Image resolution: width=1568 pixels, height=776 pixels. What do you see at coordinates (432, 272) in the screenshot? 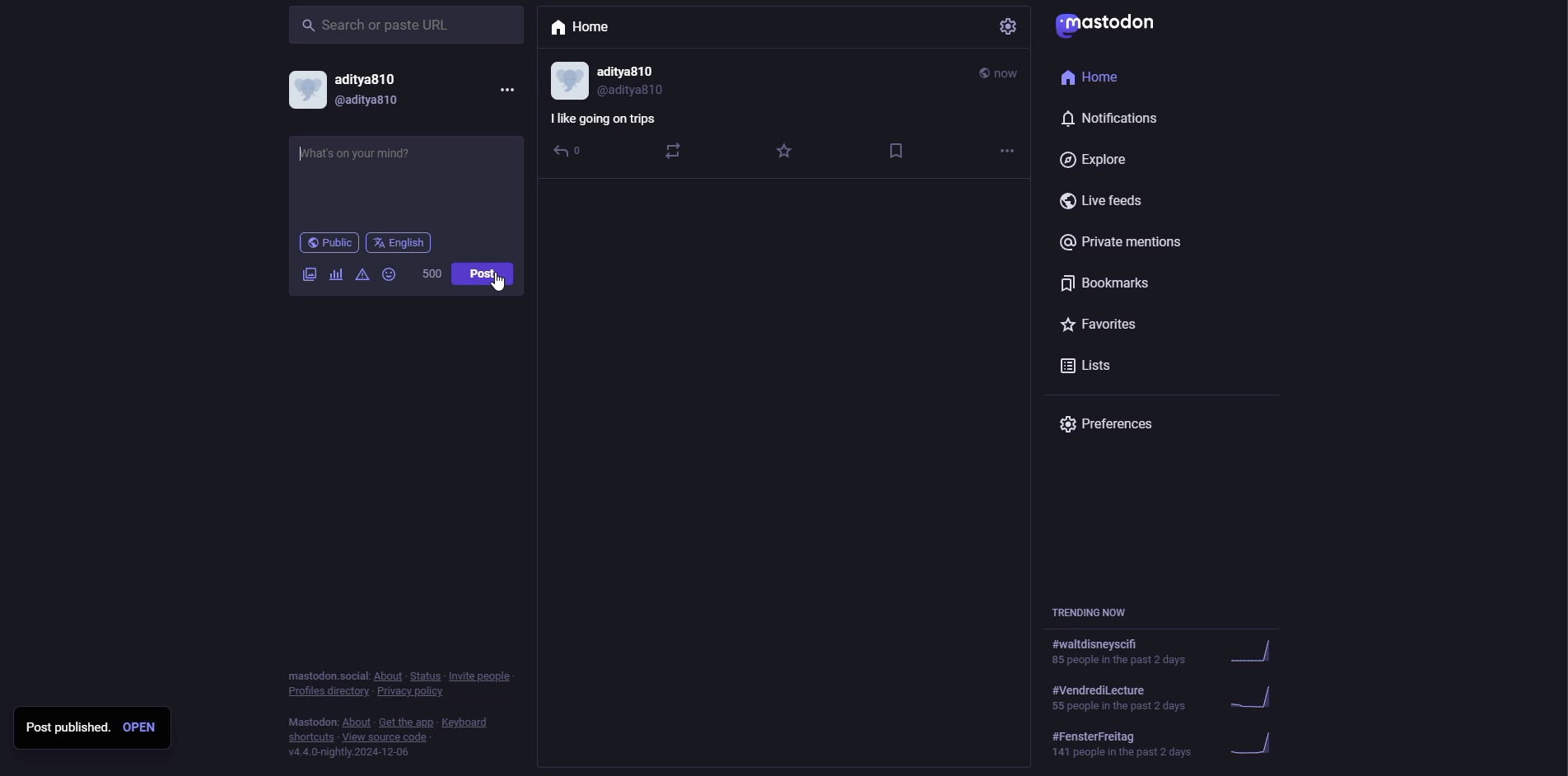
I see `word left` at bounding box center [432, 272].